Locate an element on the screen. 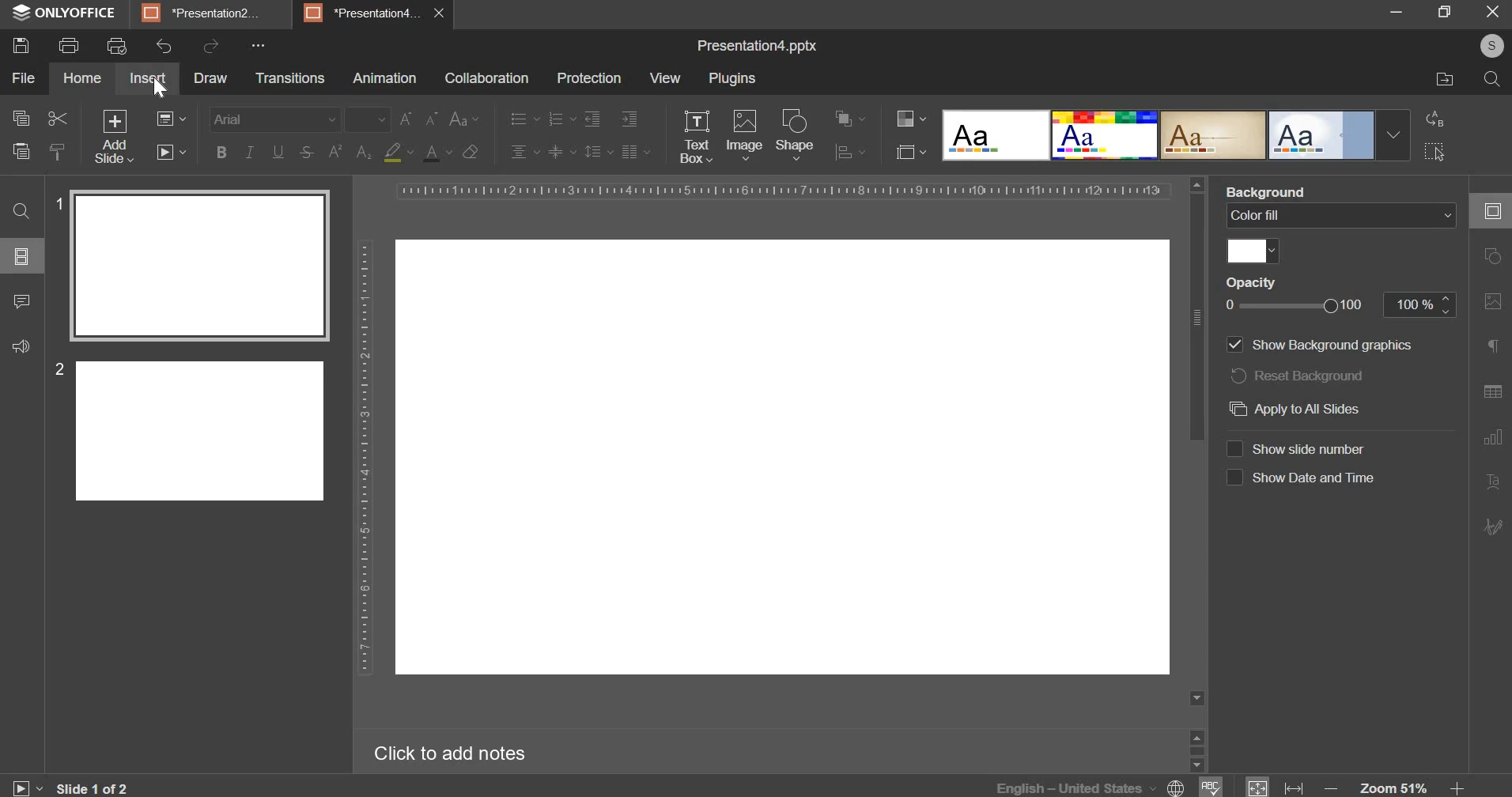 The image size is (1512, 797). redo is located at coordinates (1437, 121).